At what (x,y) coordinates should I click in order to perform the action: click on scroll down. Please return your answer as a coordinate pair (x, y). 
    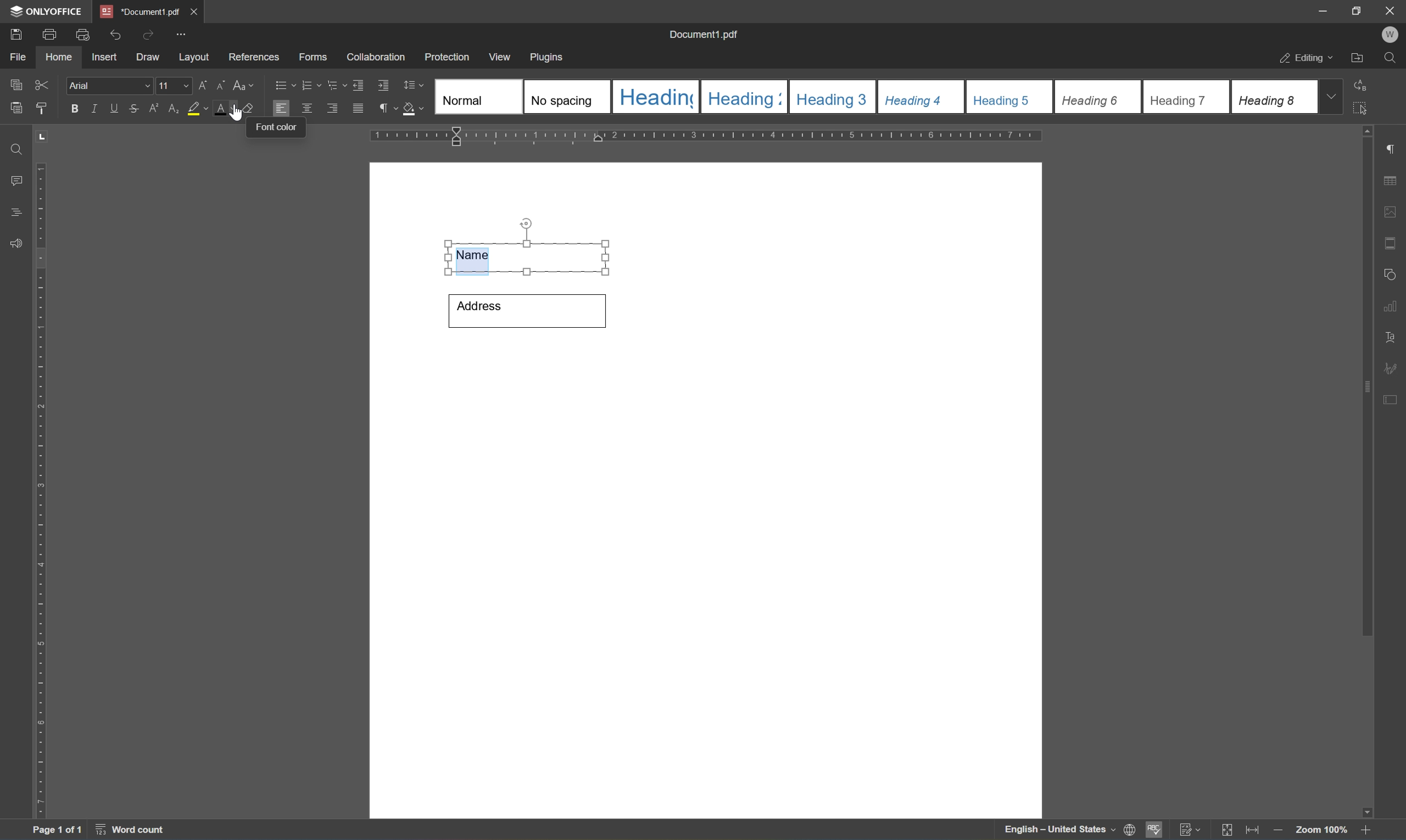
    Looking at the image, I should click on (1362, 809).